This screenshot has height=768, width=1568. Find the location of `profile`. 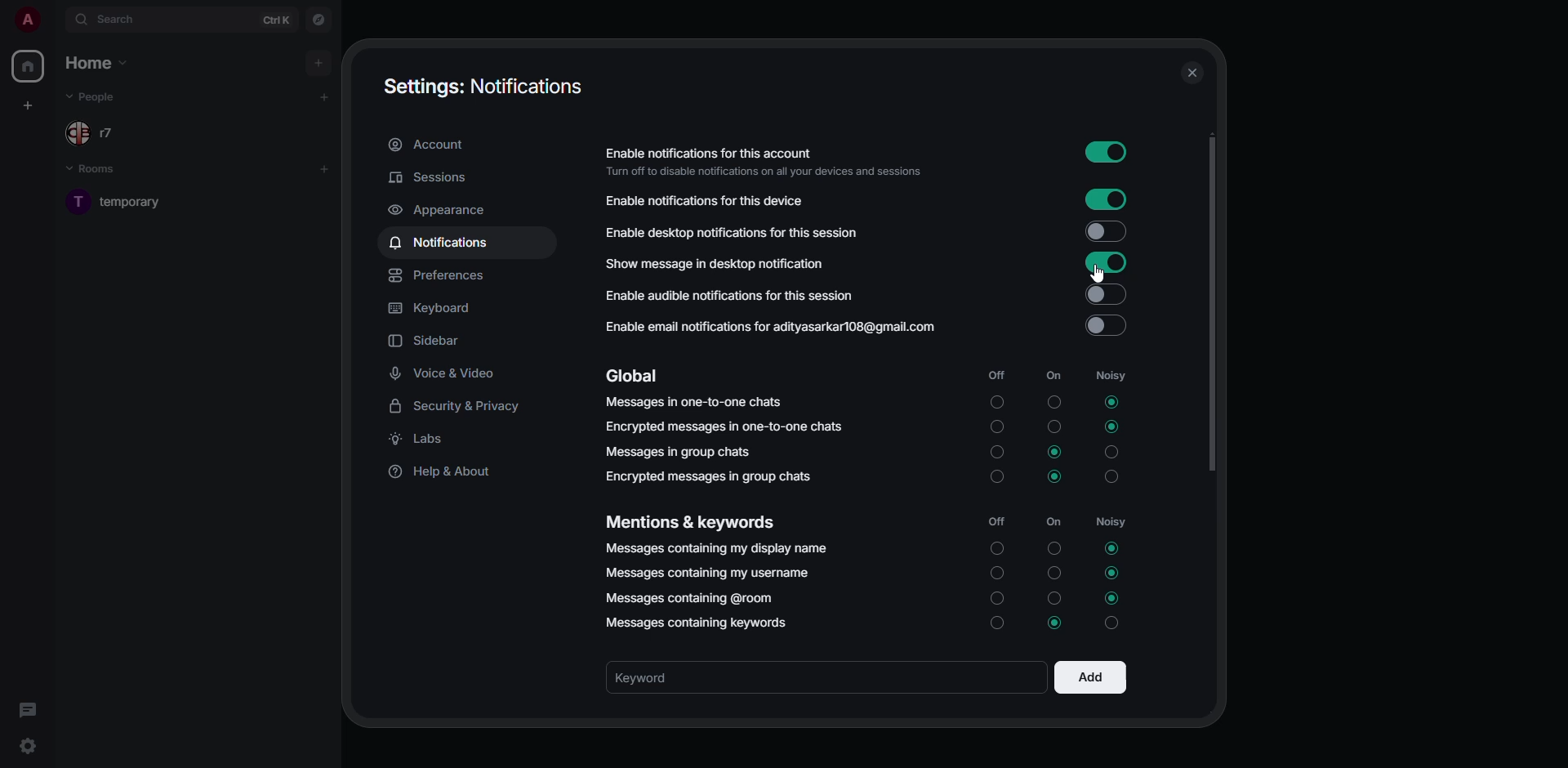

profile is located at coordinates (25, 20).